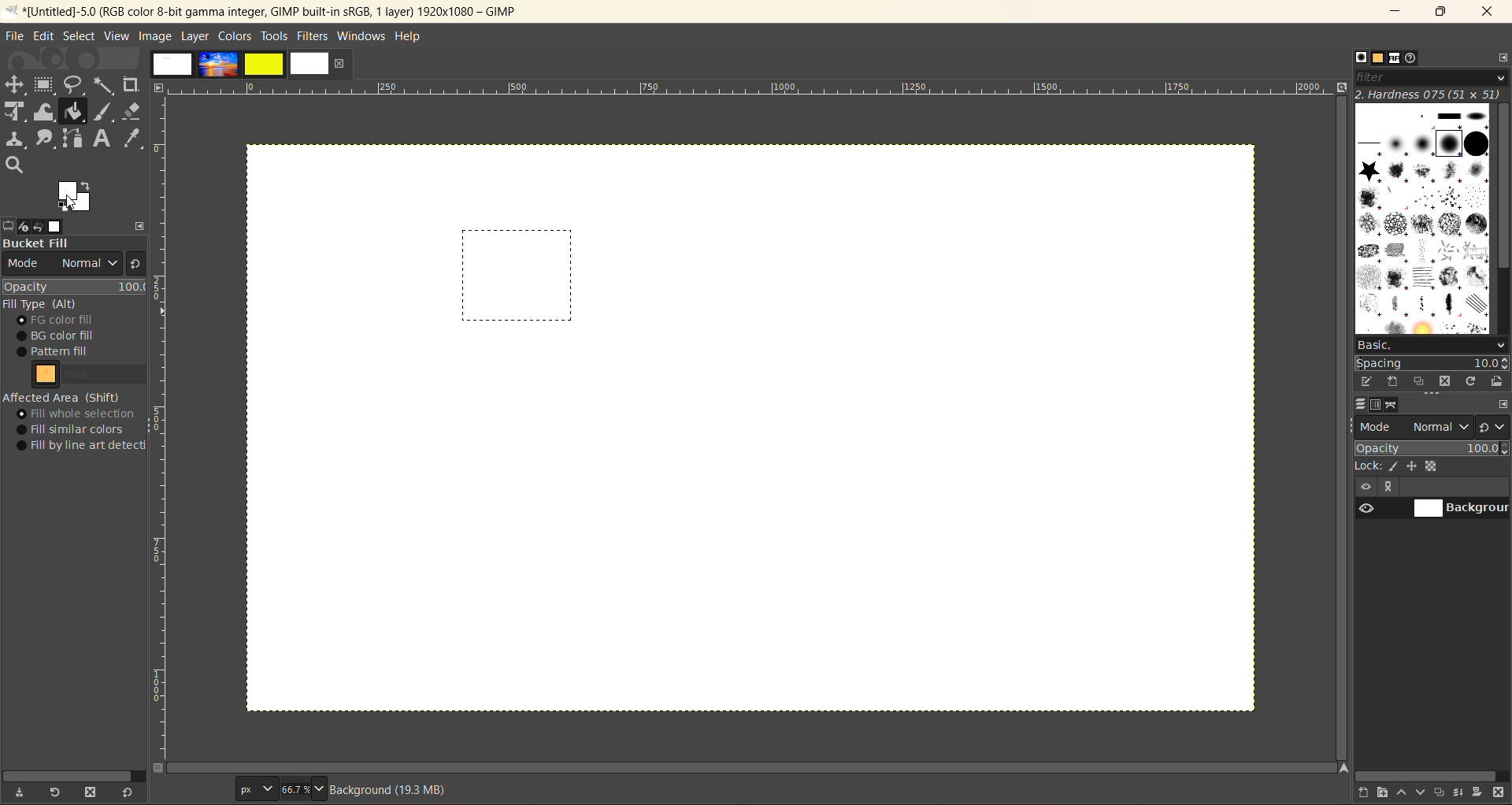 This screenshot has width=1512, height=805. What do you see at coordinates (1428, 341) in the screenshot?
I see `basic` at bounding box center [1428, 341].